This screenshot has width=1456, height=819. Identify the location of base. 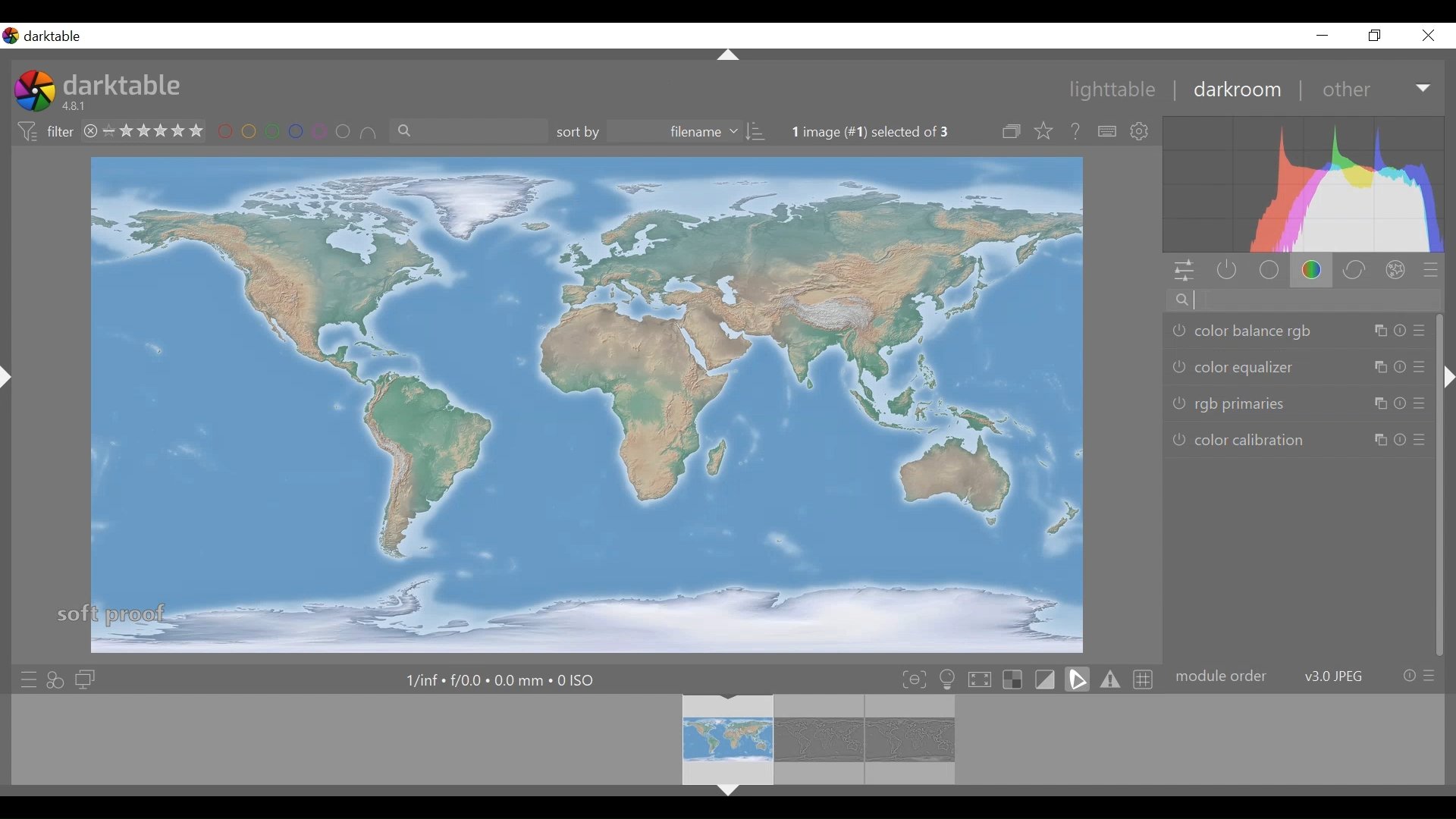
(1268, 270).